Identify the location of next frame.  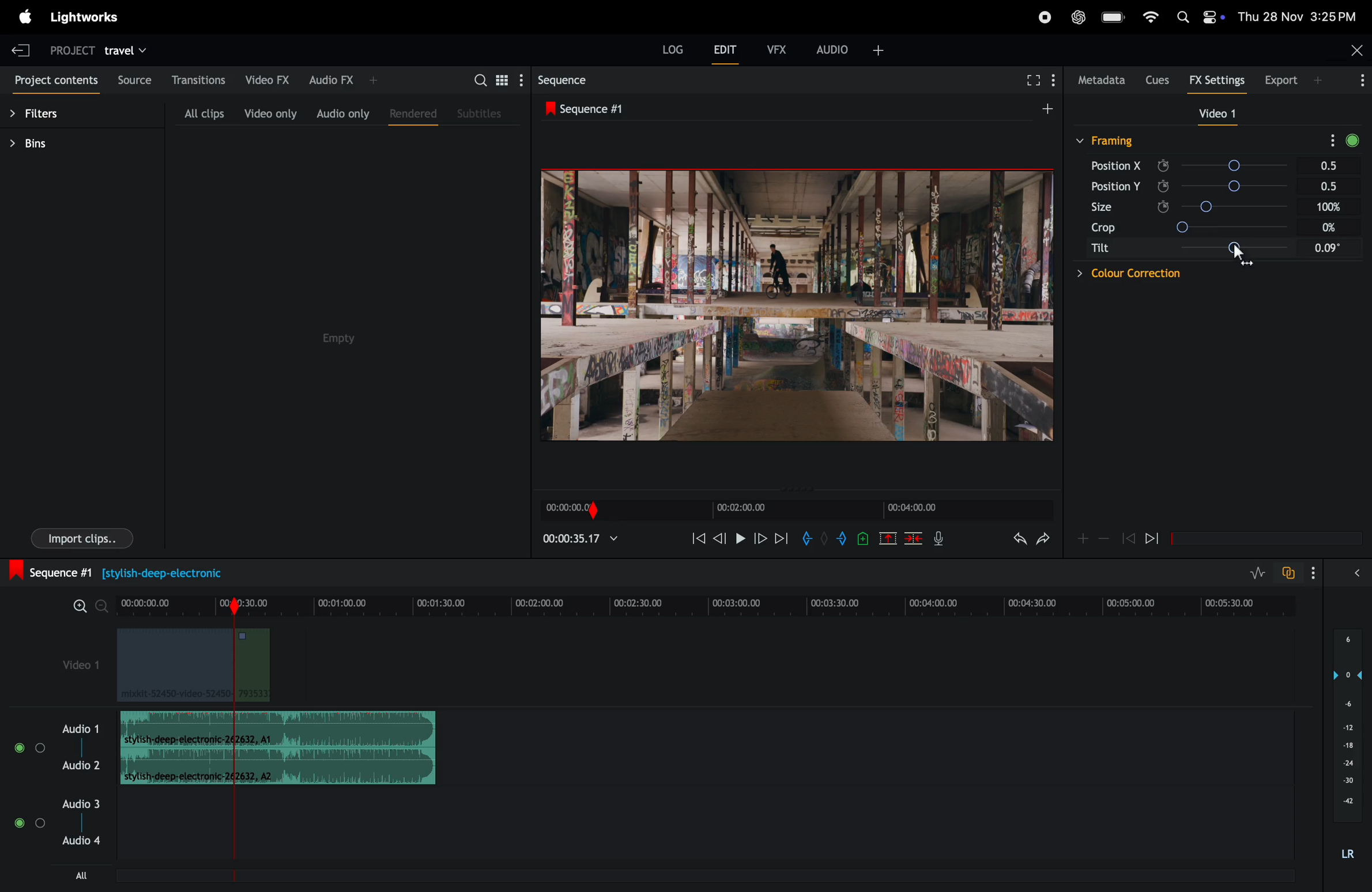
(759, 540).